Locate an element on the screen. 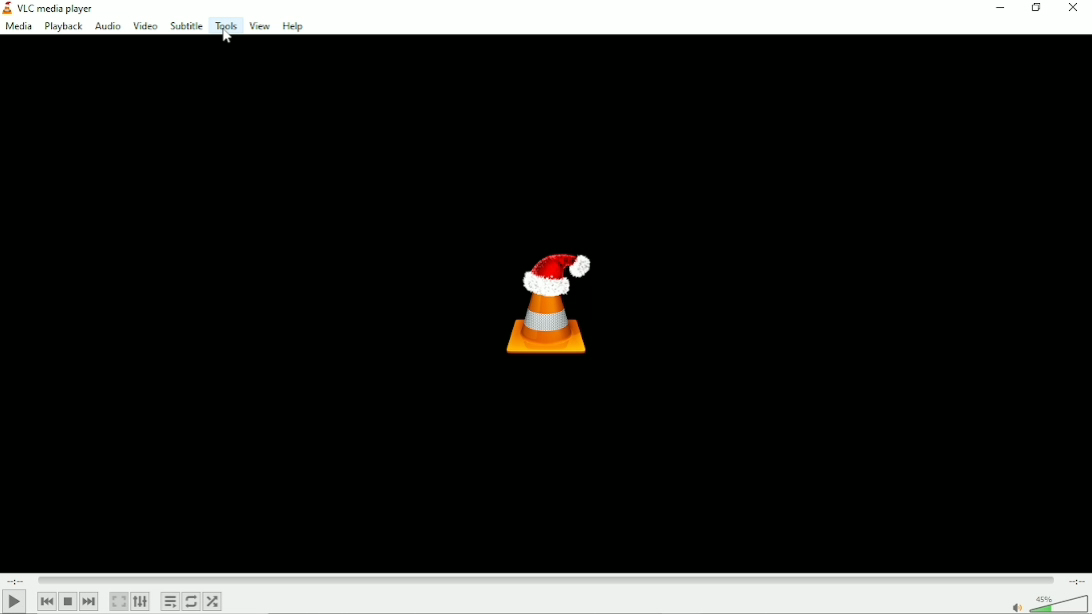 The width and height of the screenshot is (1092, 614). Volume is located at coordinates (1049, 604).